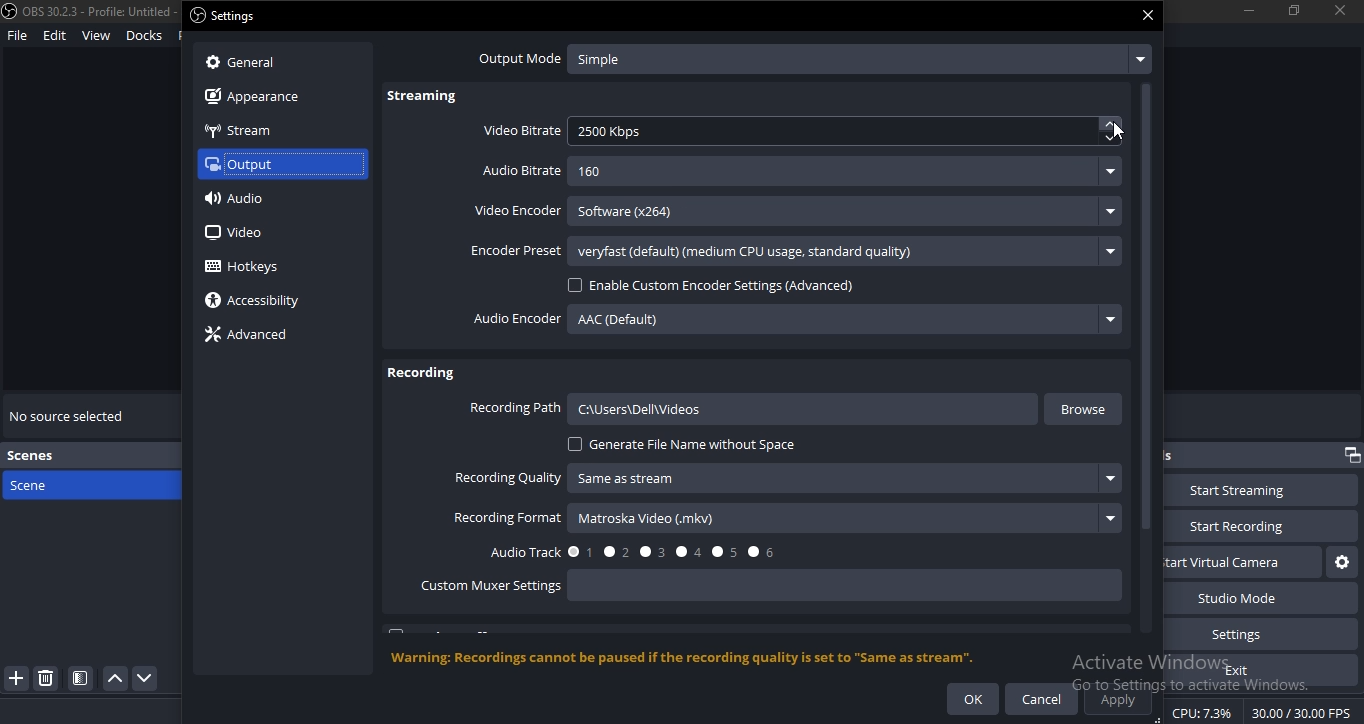 The width and height of the screenshot is (1364, 724). I want to click on restore, so click(1294, 9).